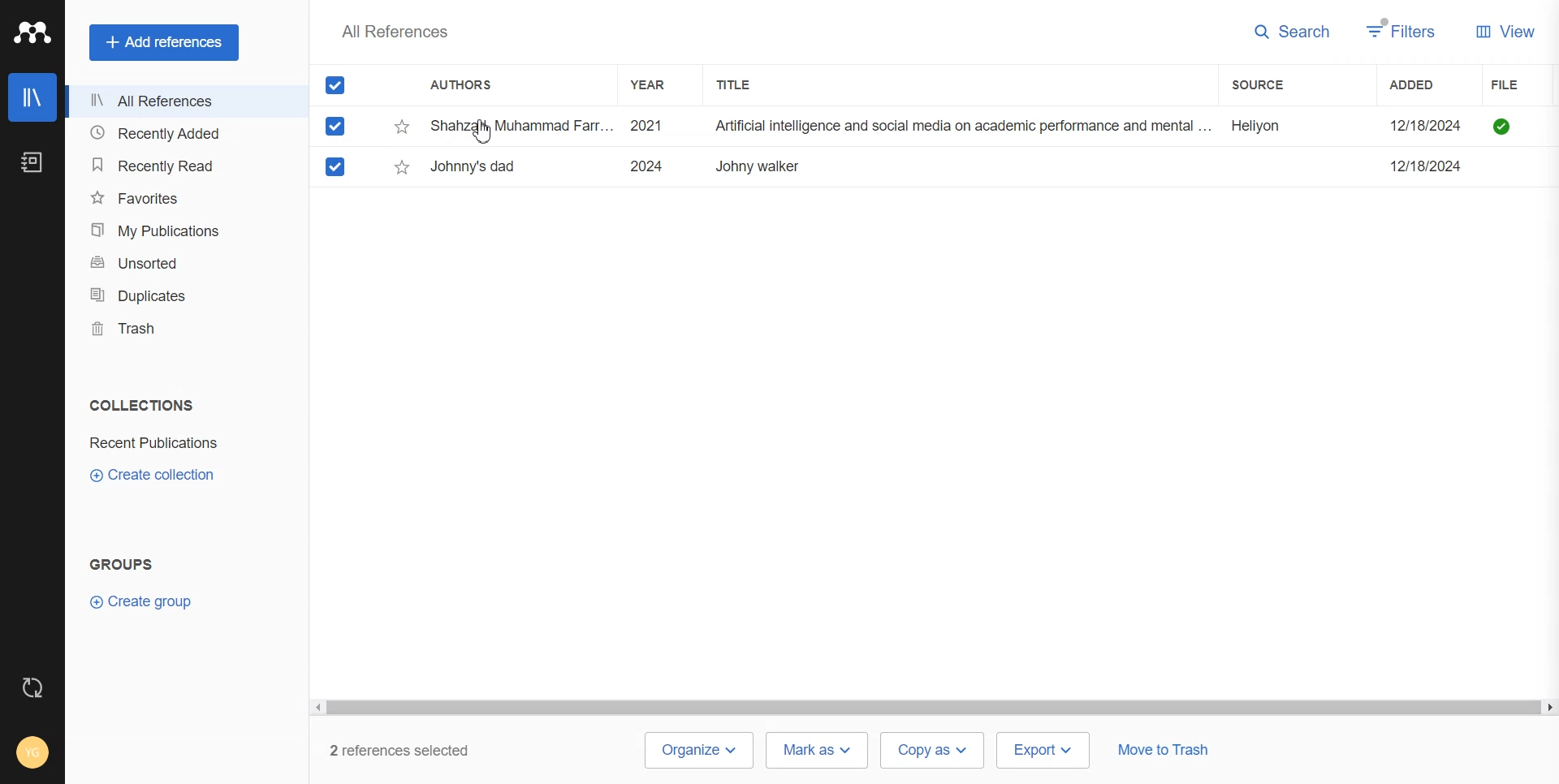 This screenshot has height=784, width=1559. I want to click on Move to trash, so click(1163, 752).